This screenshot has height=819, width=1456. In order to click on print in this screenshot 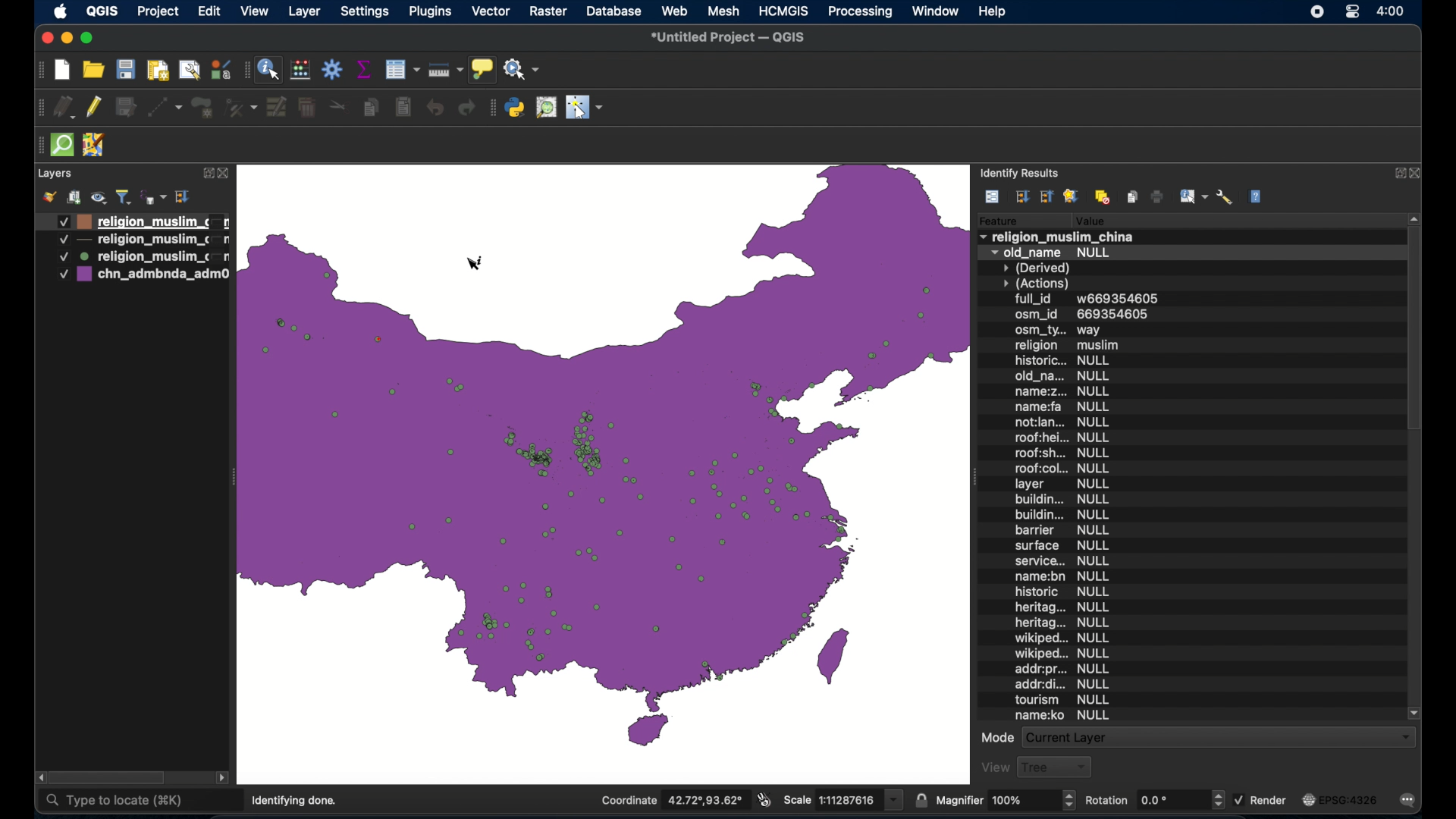, I will do `click(1158, 197)`.